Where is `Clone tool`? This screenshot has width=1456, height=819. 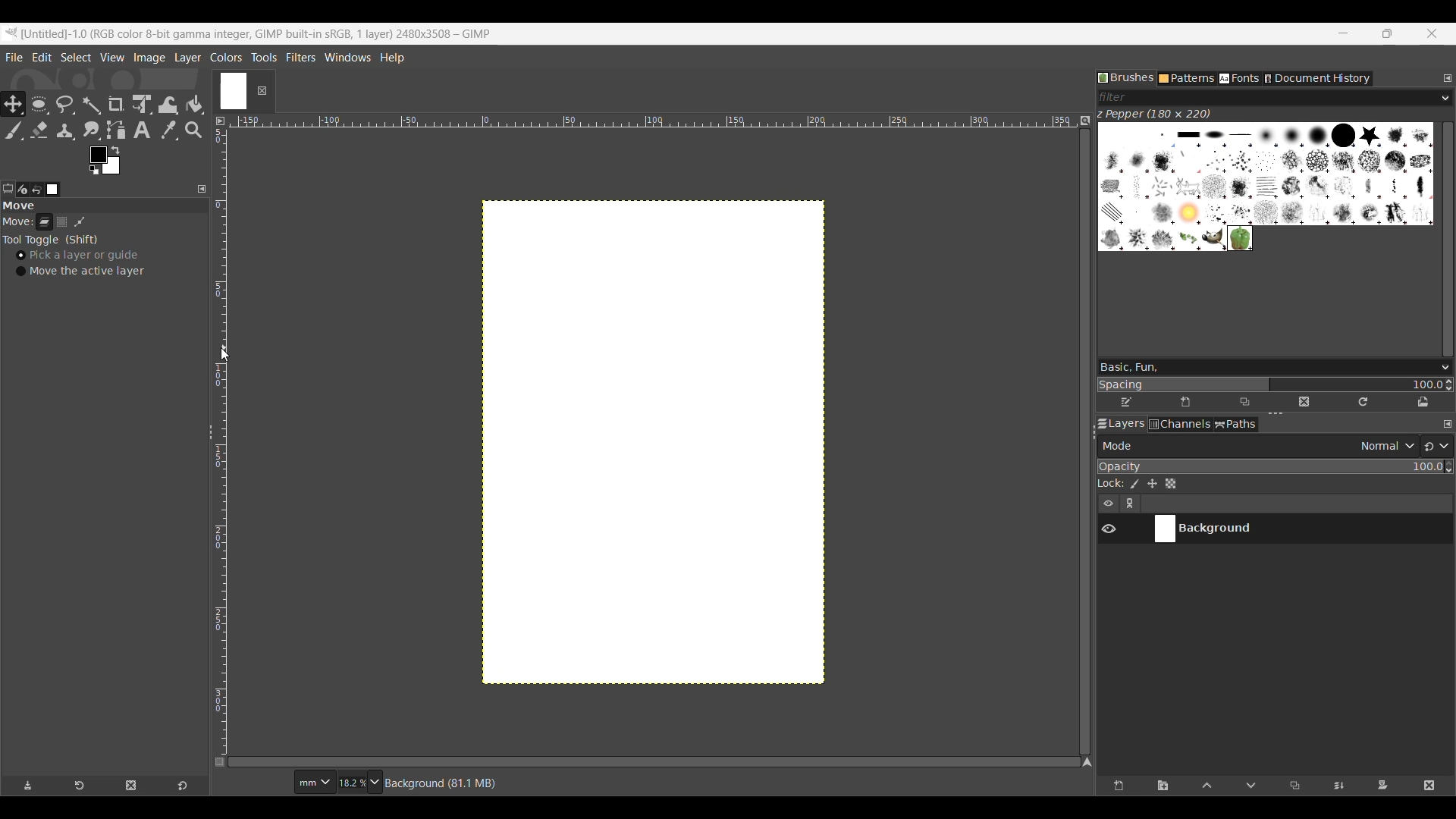 Clone tool is located at coordinates (66, 131).